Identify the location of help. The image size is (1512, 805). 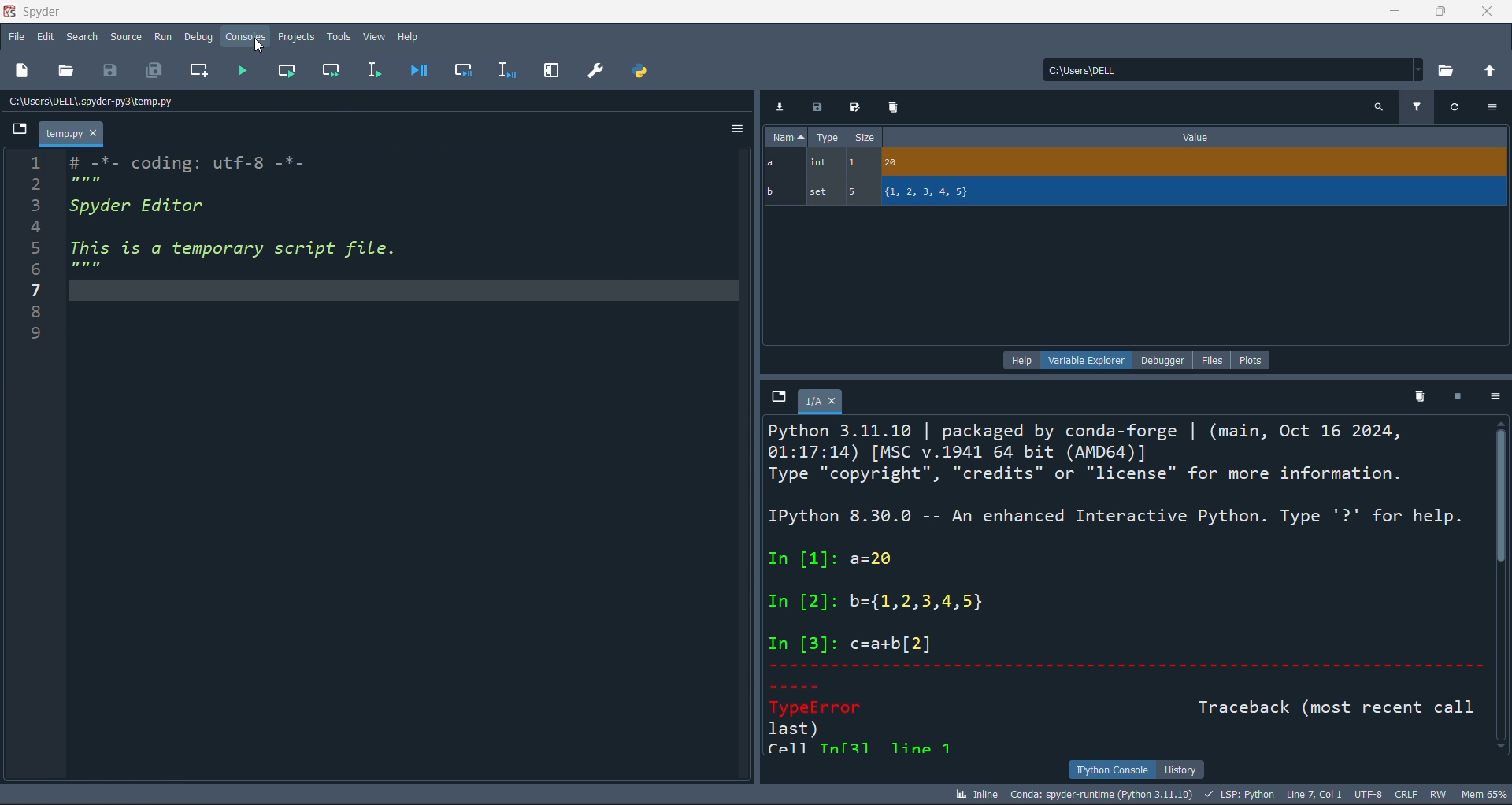
(1021, 360).